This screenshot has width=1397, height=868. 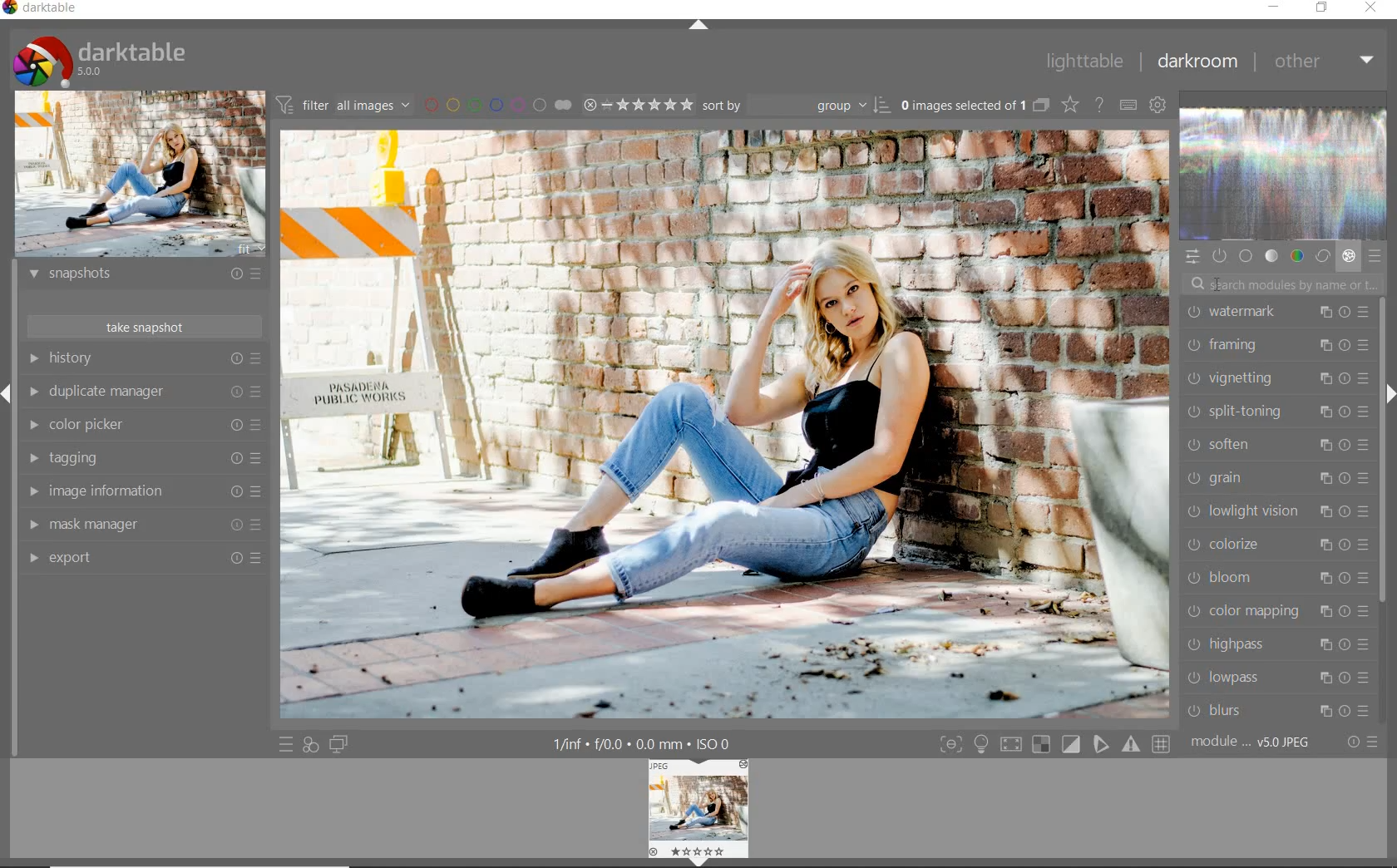 What do you see at coordinates (1286, 283) in the screenshot?
I see `search modules by name` at bounding box center [1286, 283].